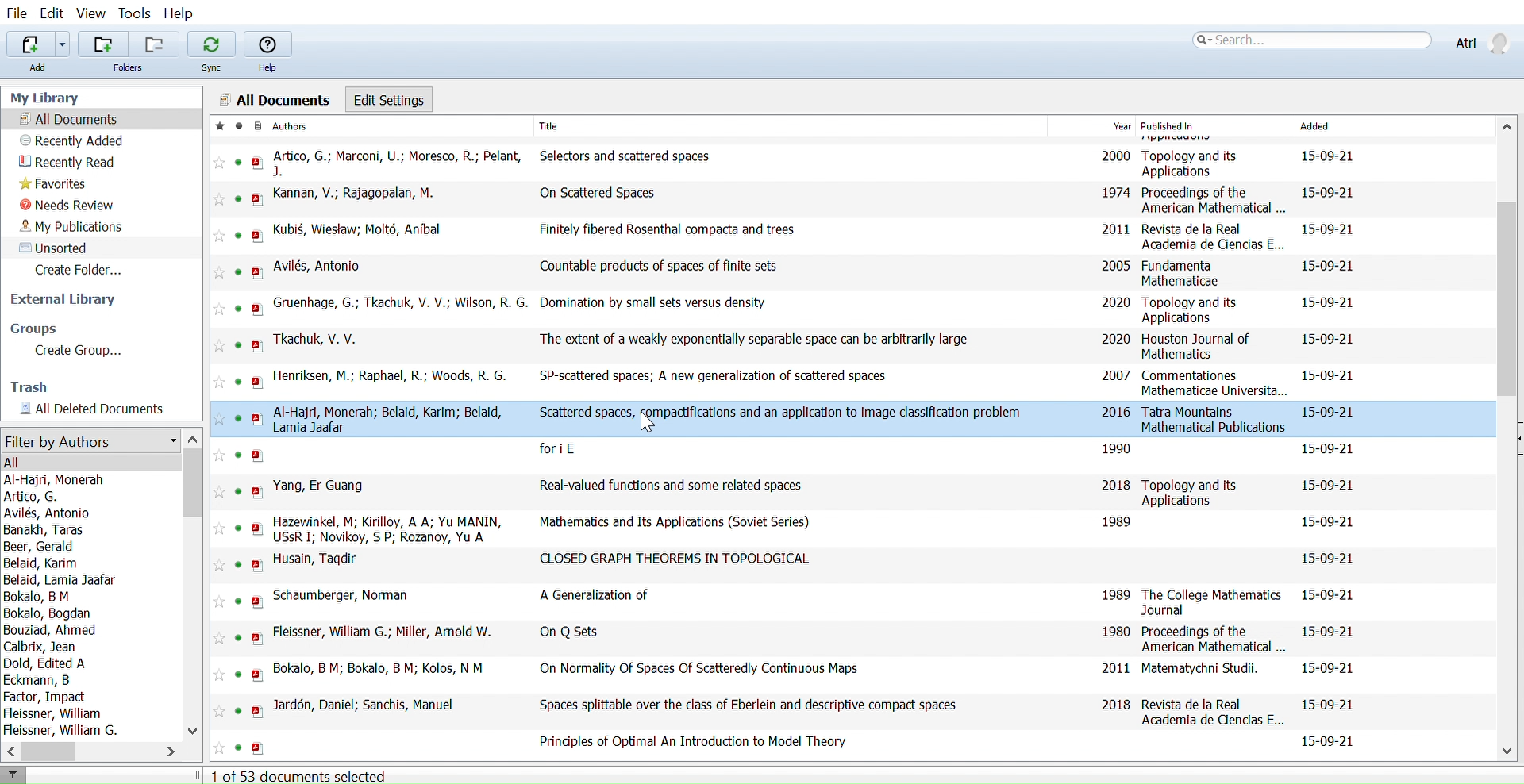  What do you see at coordinates (1114, 158) in the screenshot?
I see `200` at bounding box center [1114, 158].